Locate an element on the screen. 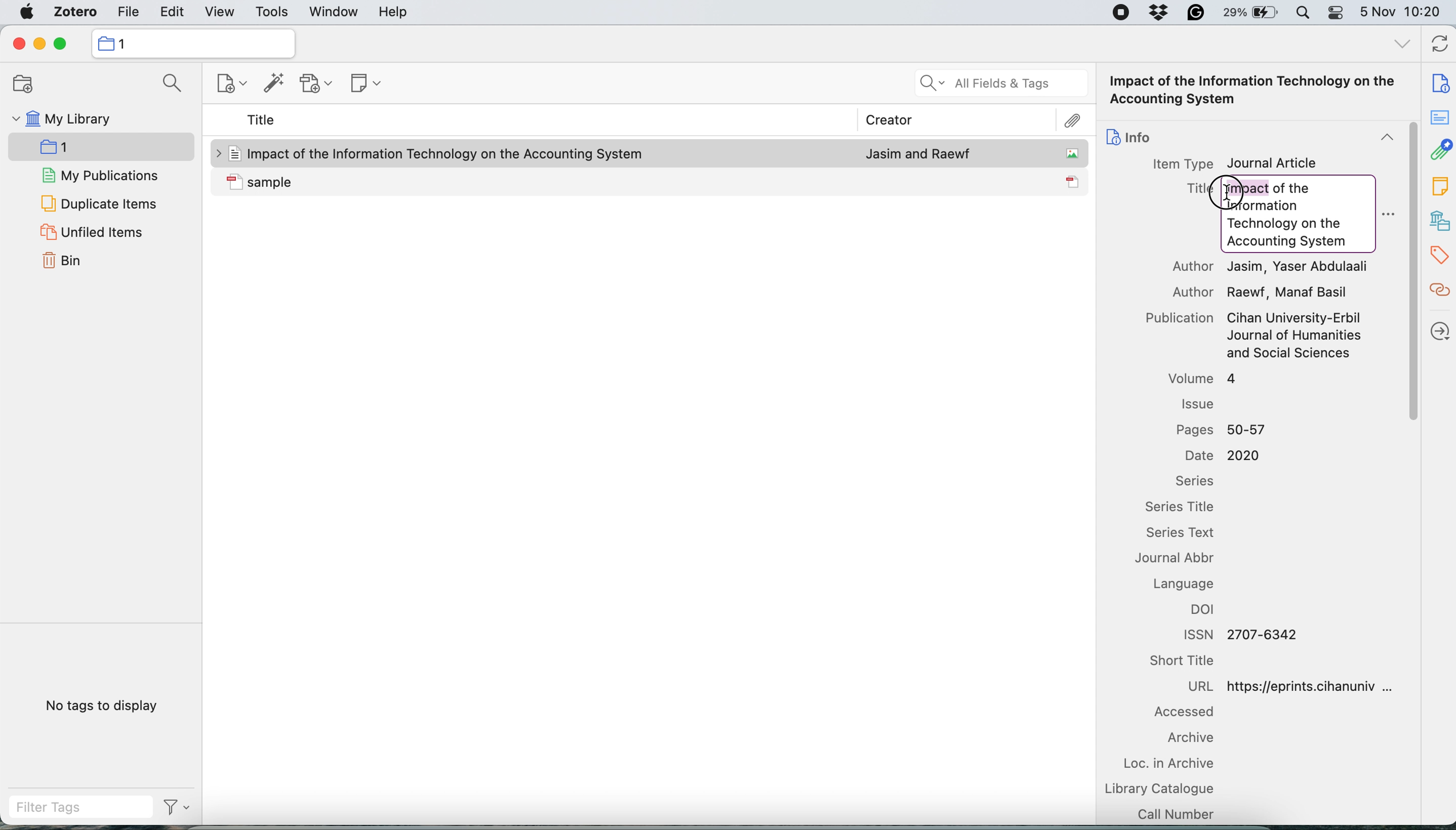  Jasim and Raewf is located at coordinates (918, 152).